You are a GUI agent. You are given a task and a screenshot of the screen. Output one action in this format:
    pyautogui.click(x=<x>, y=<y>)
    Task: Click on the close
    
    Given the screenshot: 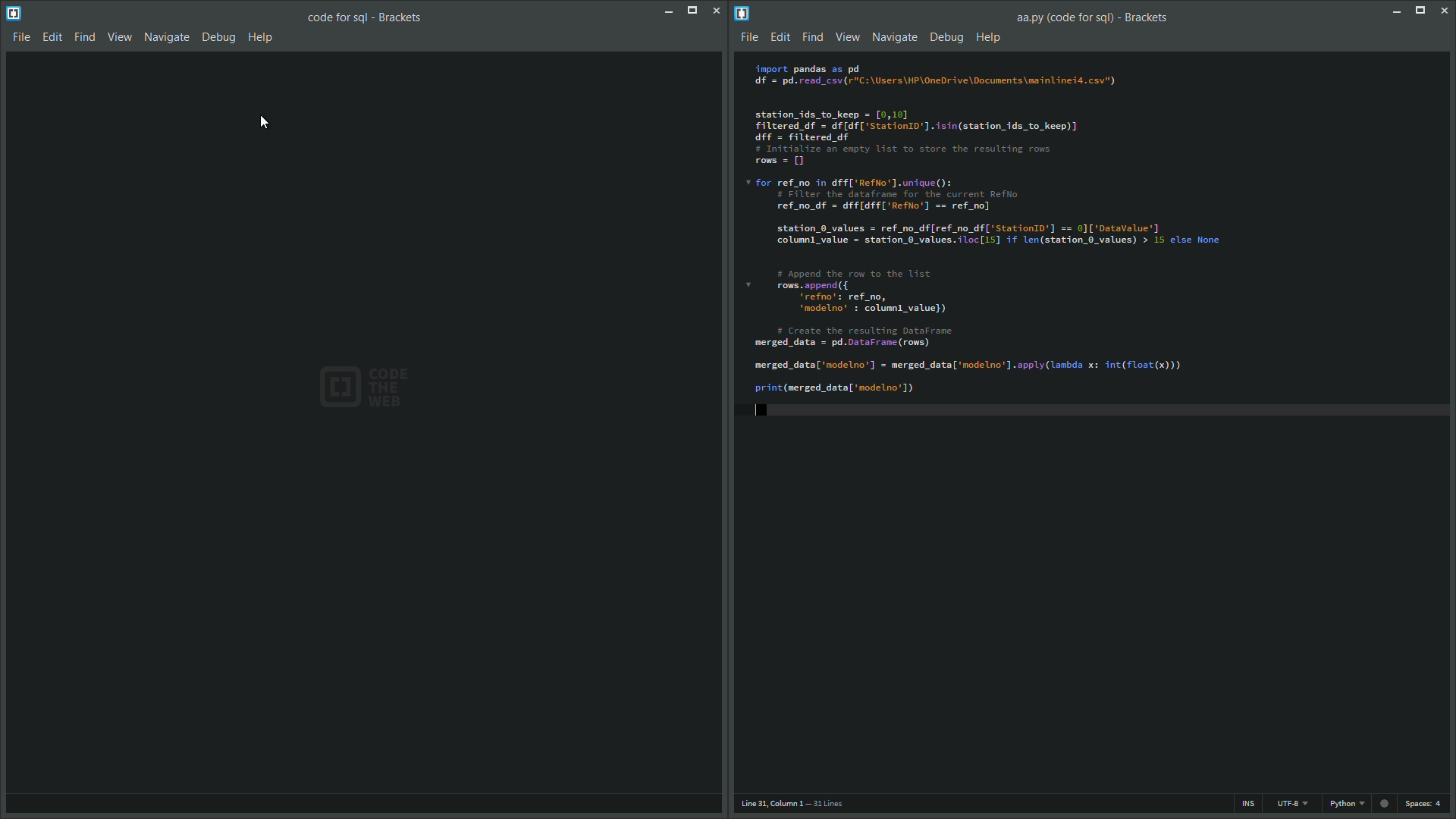 What is the action you would take?
    pyautogui.click(x=714, y=9)
    